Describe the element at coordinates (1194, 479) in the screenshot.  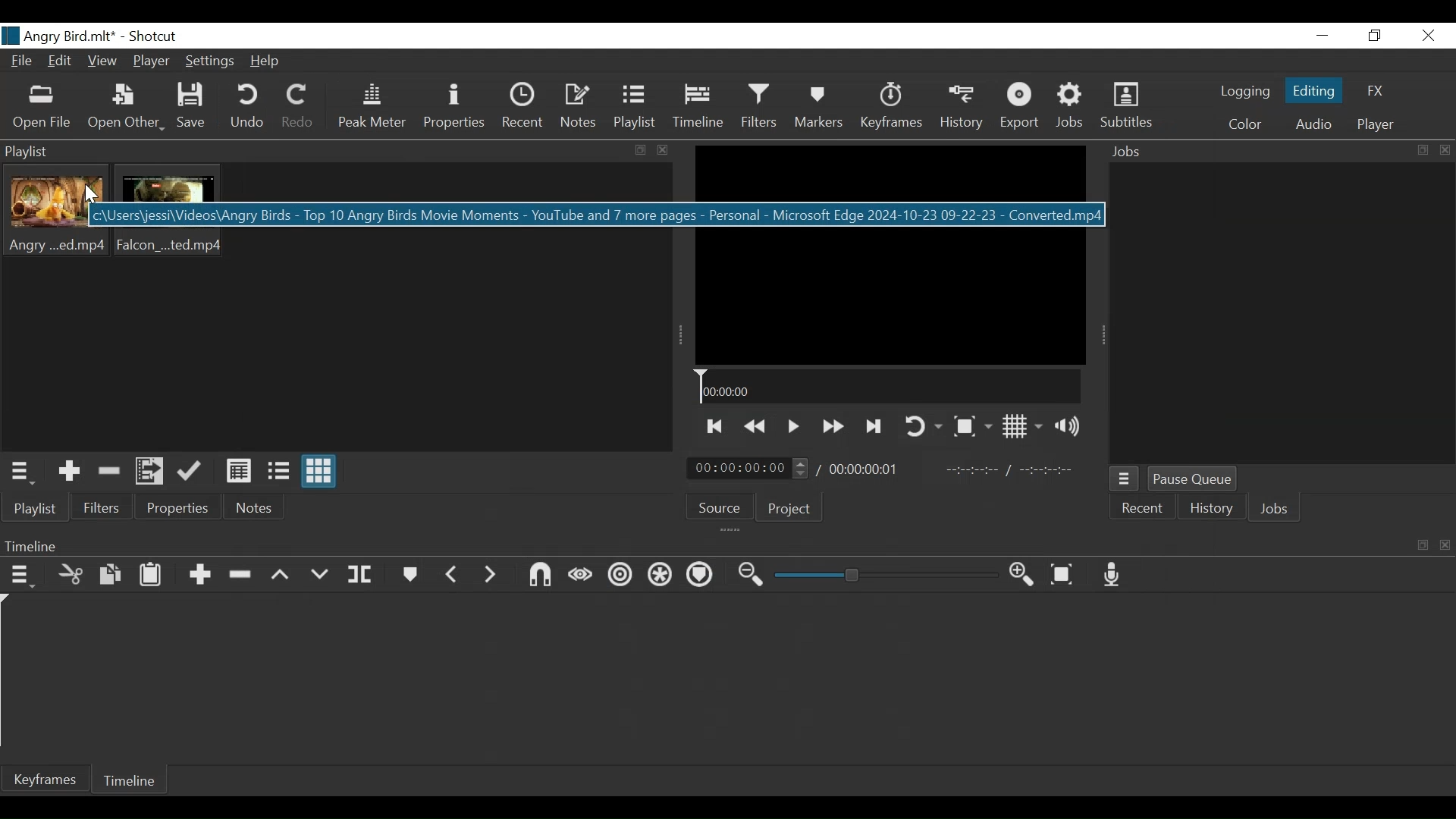
I see `Pause Queue` at that location.